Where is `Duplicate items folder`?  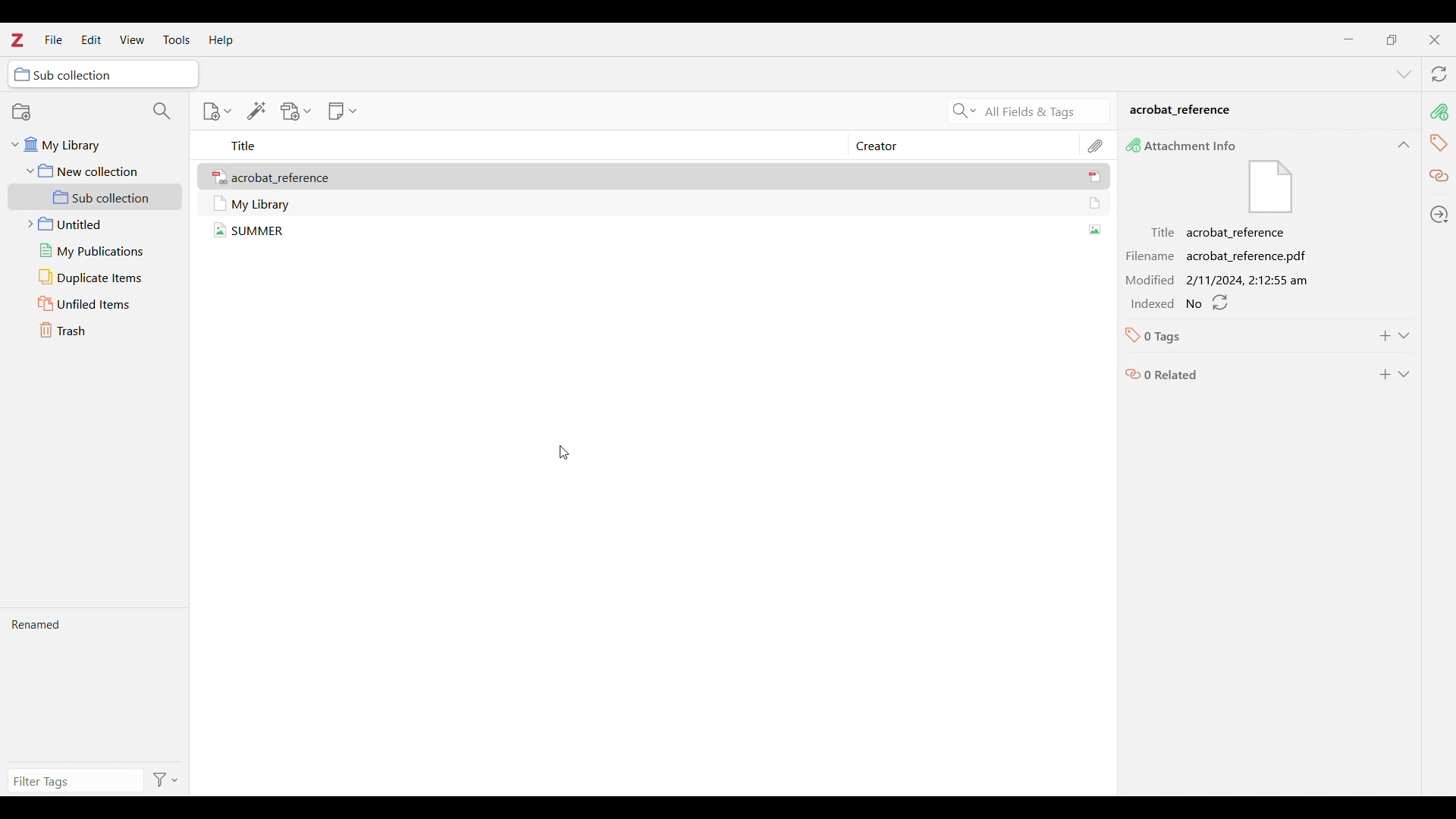 Duplicate items folder is located at coordinates (99, 277).